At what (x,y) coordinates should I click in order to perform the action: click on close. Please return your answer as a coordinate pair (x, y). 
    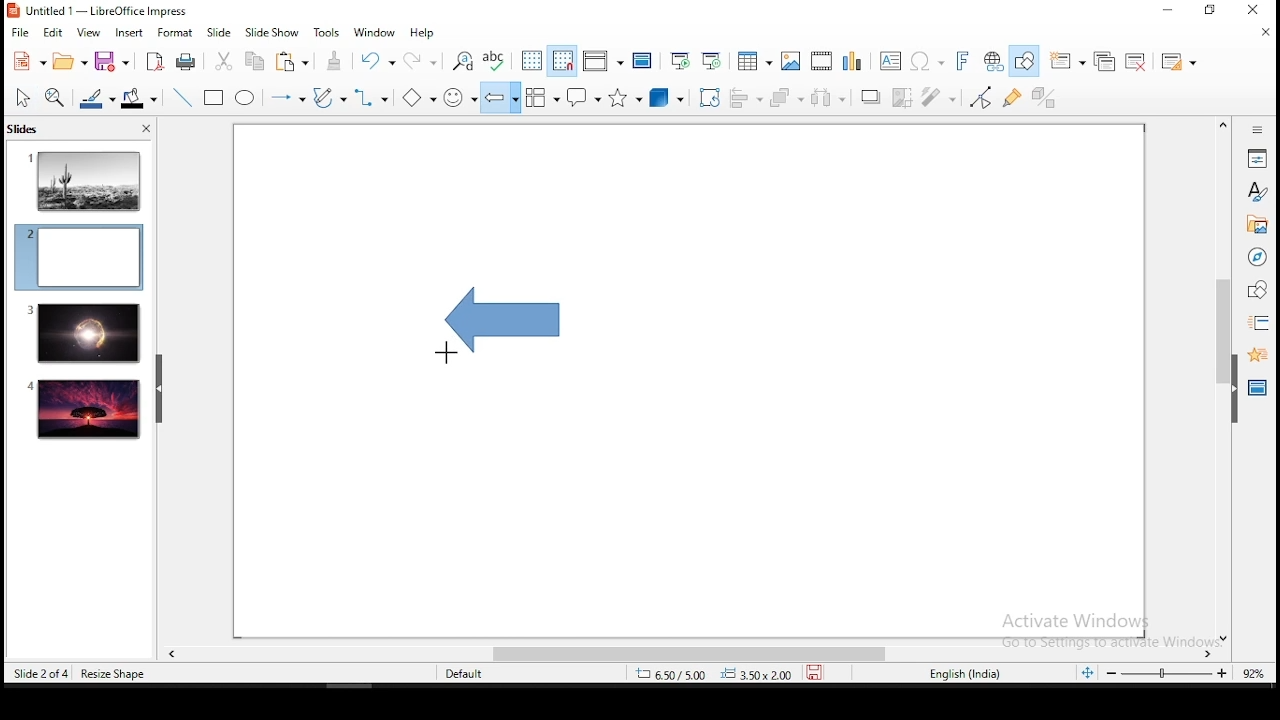
    Looking at the image, I should click on (144, 131).